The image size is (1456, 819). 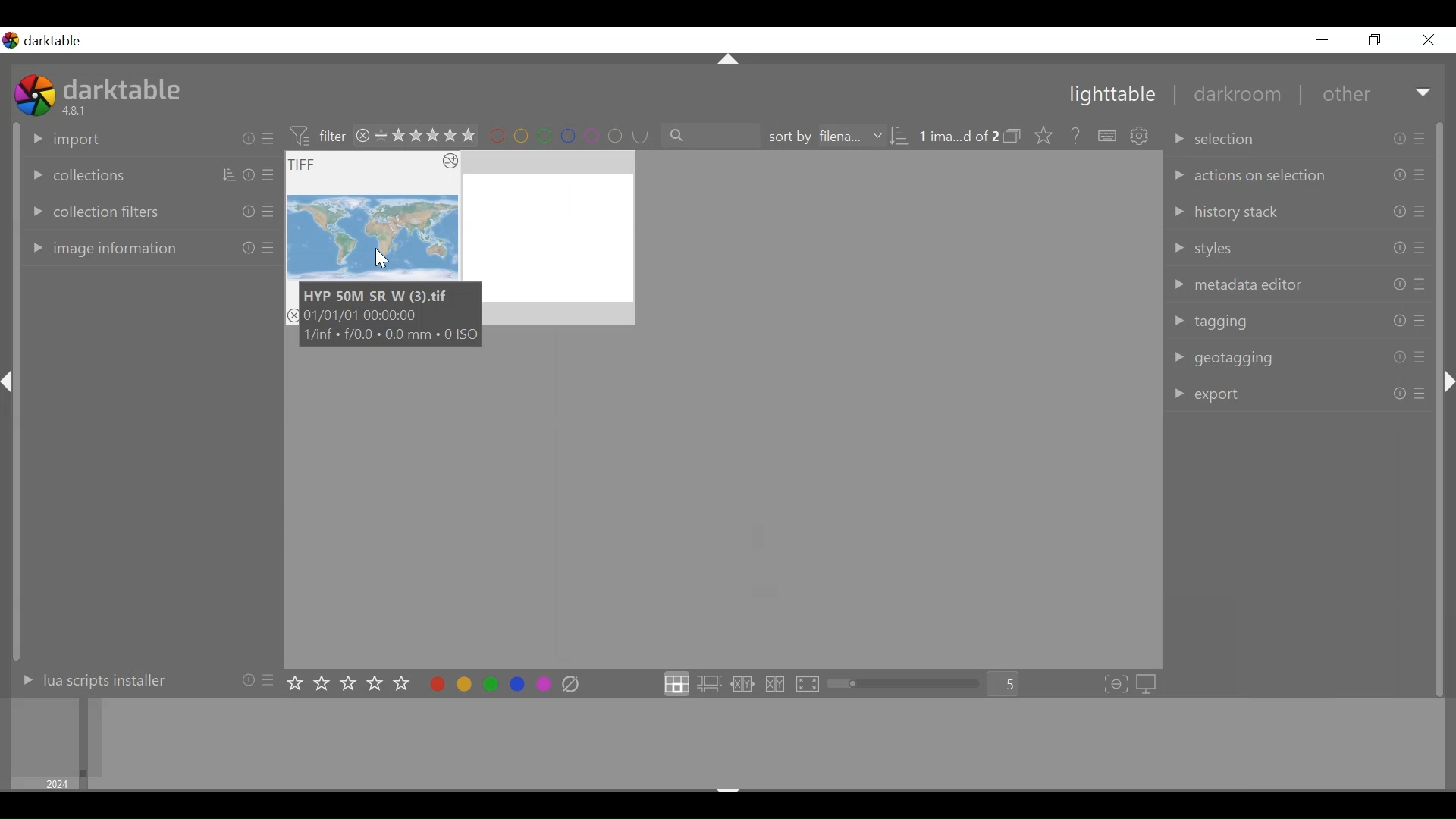 I want to click on toggle color label, so click(x=490, y=684).